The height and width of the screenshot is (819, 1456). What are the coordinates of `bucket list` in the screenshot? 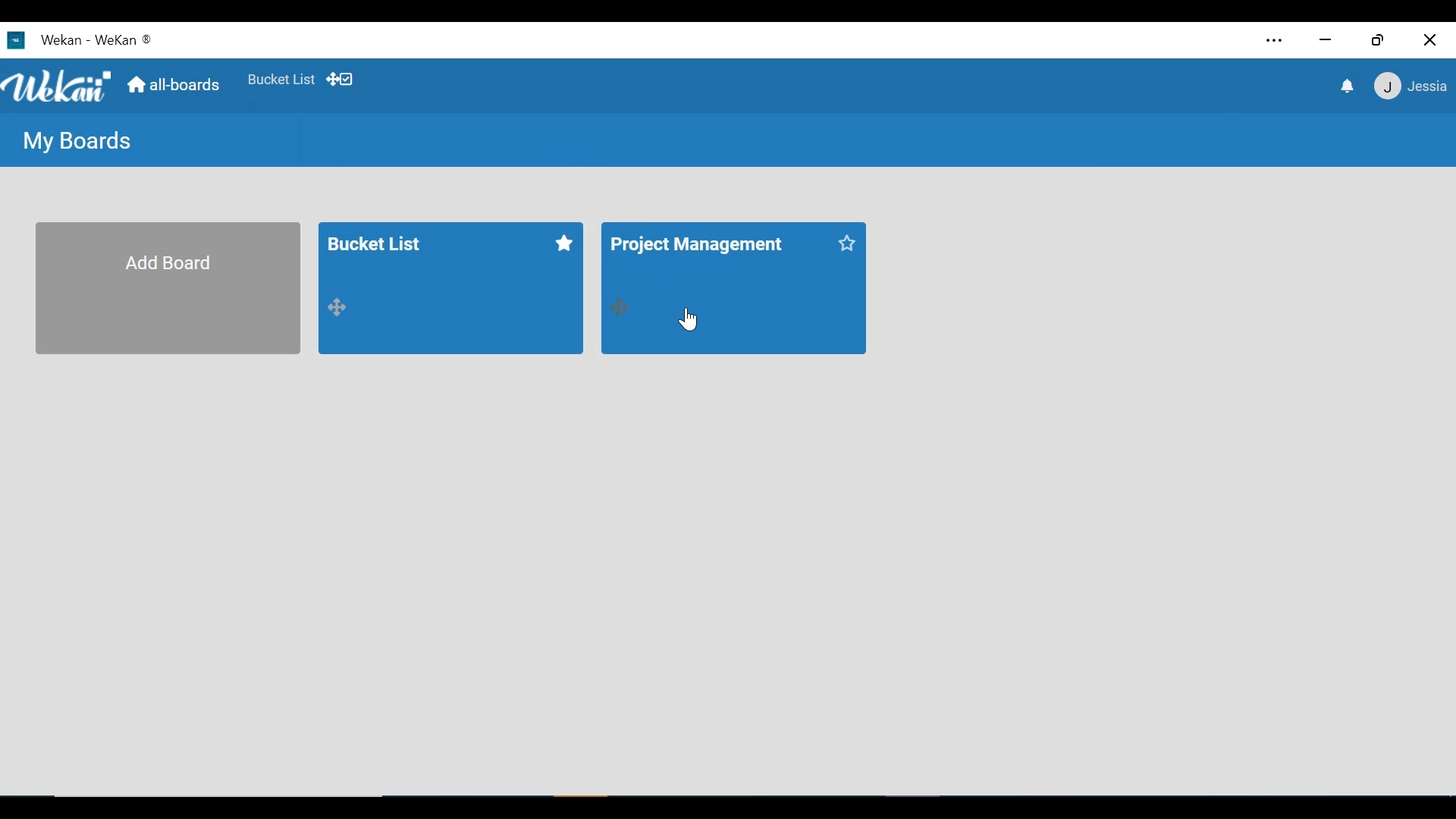 It's located at (281, 80).